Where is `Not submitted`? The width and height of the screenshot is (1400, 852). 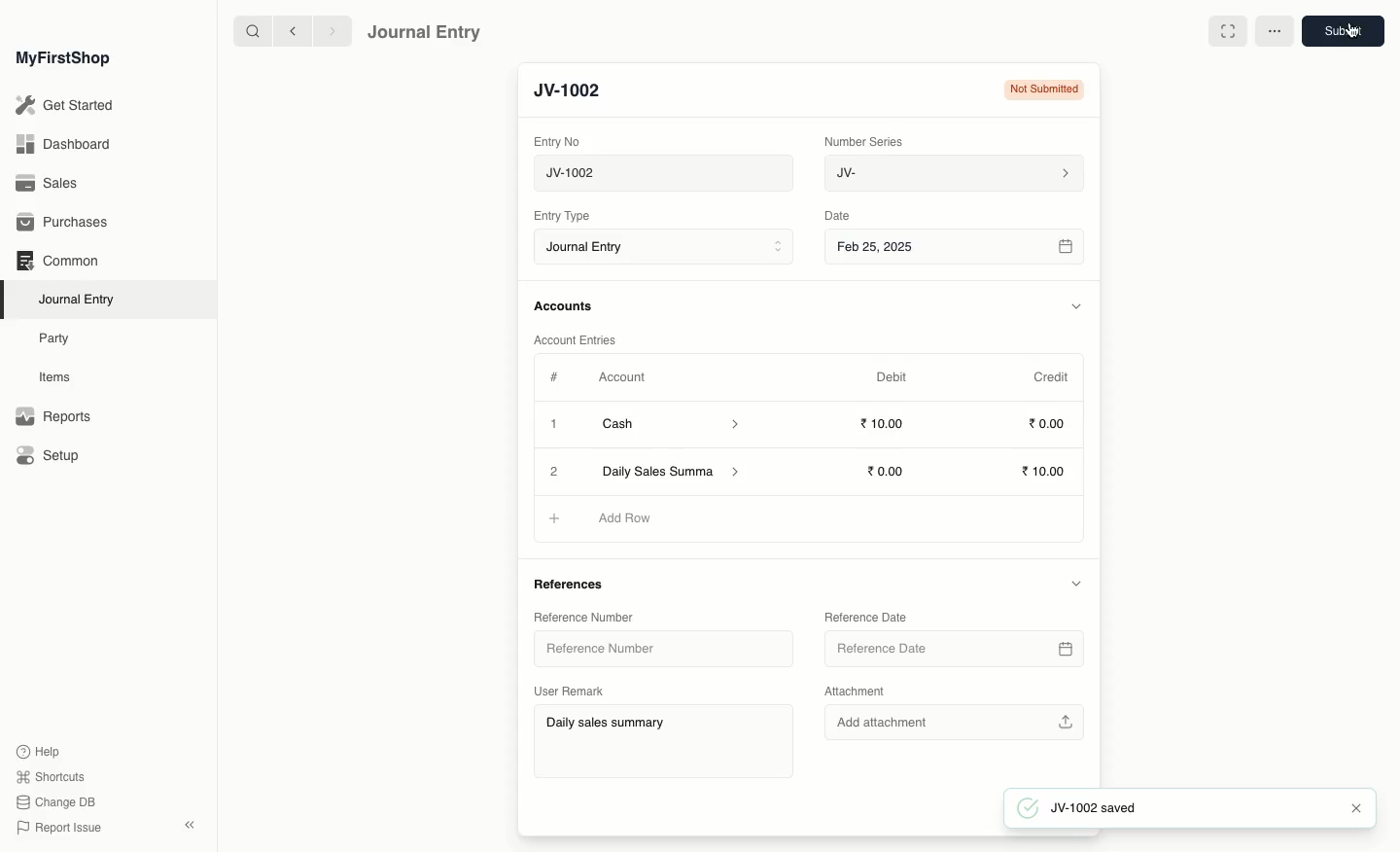 Not submitted is located at coordinates (1039, 92).